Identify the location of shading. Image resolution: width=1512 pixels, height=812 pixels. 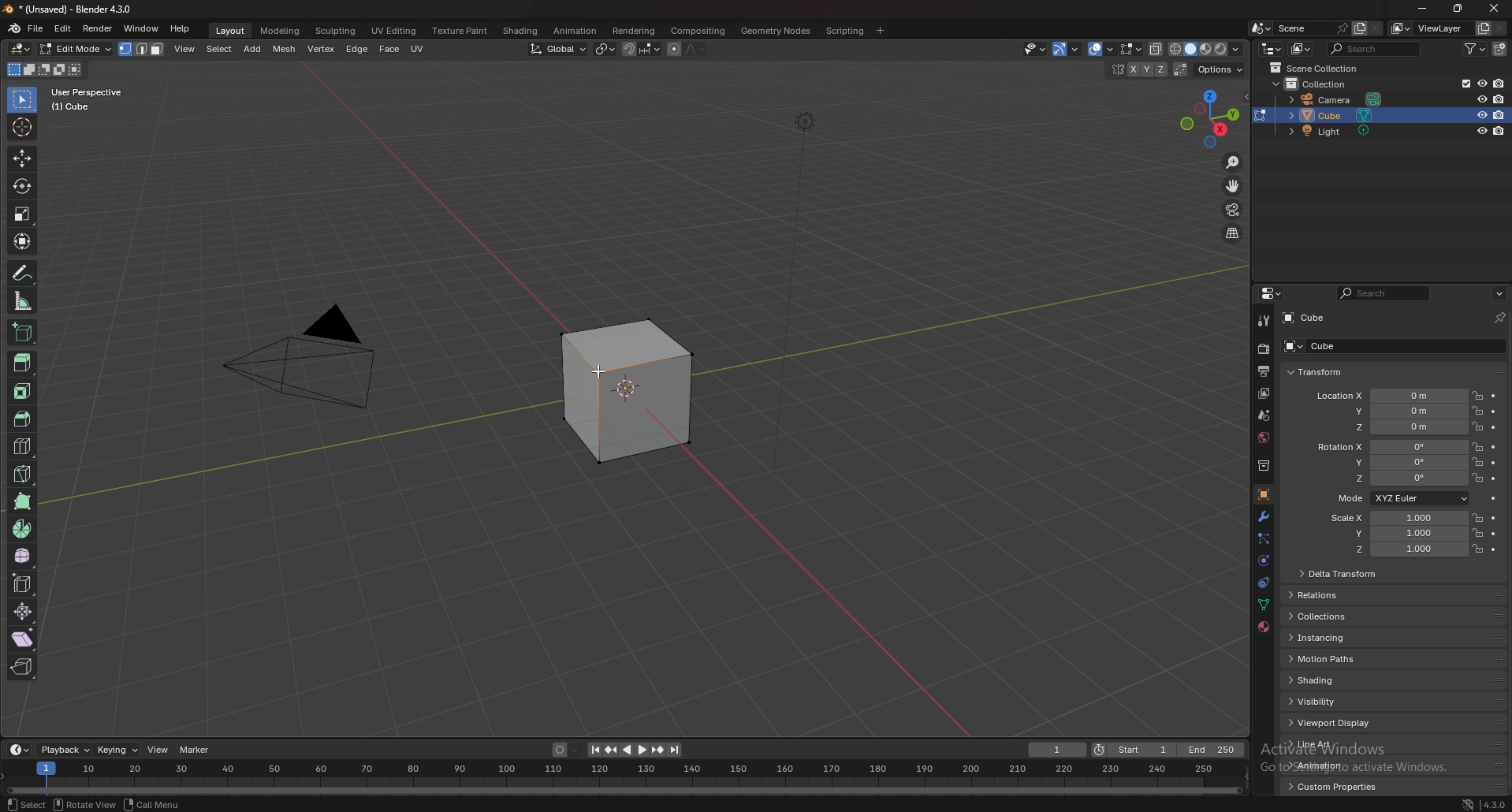
(1237, 50).